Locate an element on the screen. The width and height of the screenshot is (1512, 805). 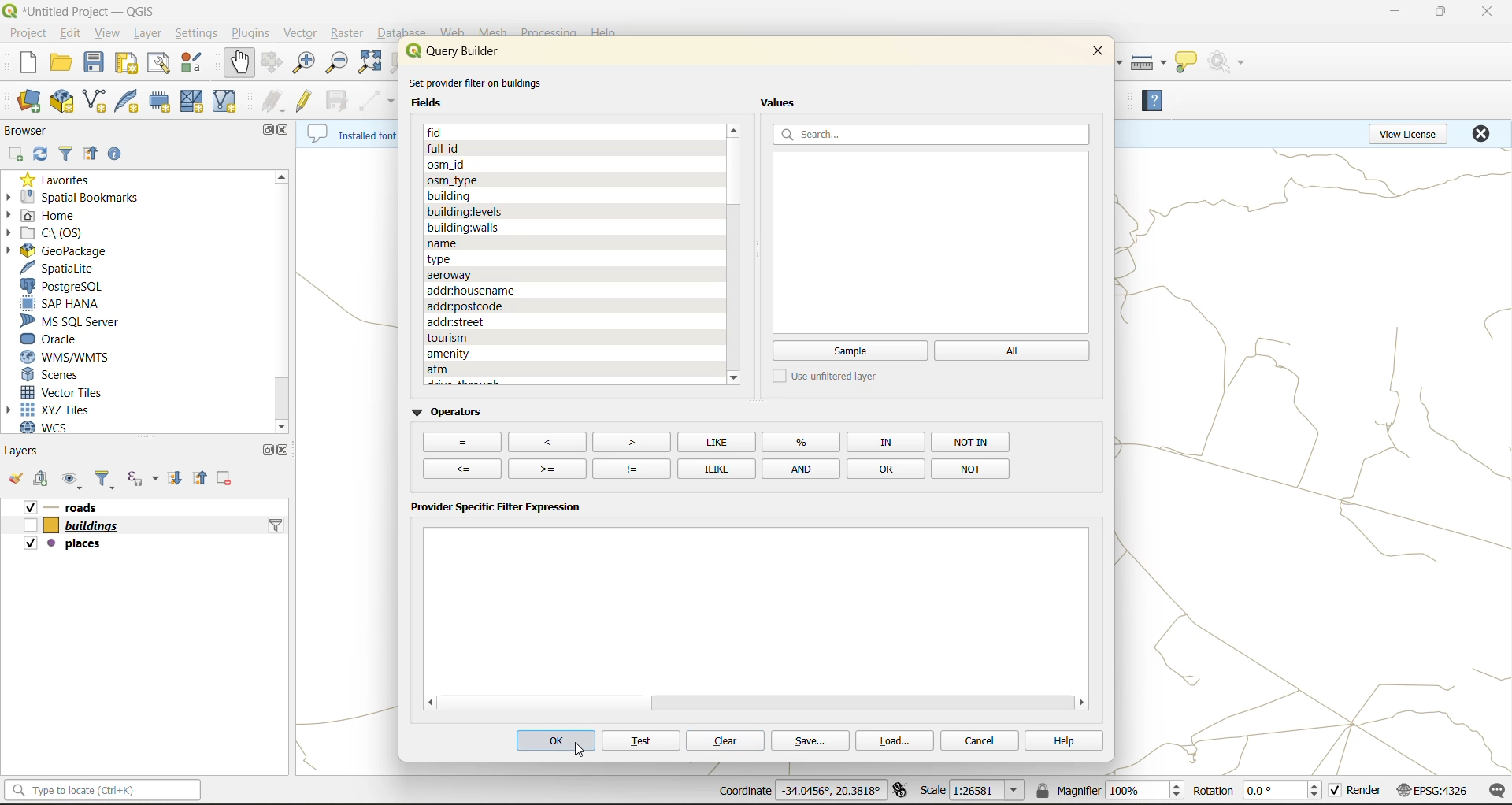
opertators is located at coordinates (713, 468).